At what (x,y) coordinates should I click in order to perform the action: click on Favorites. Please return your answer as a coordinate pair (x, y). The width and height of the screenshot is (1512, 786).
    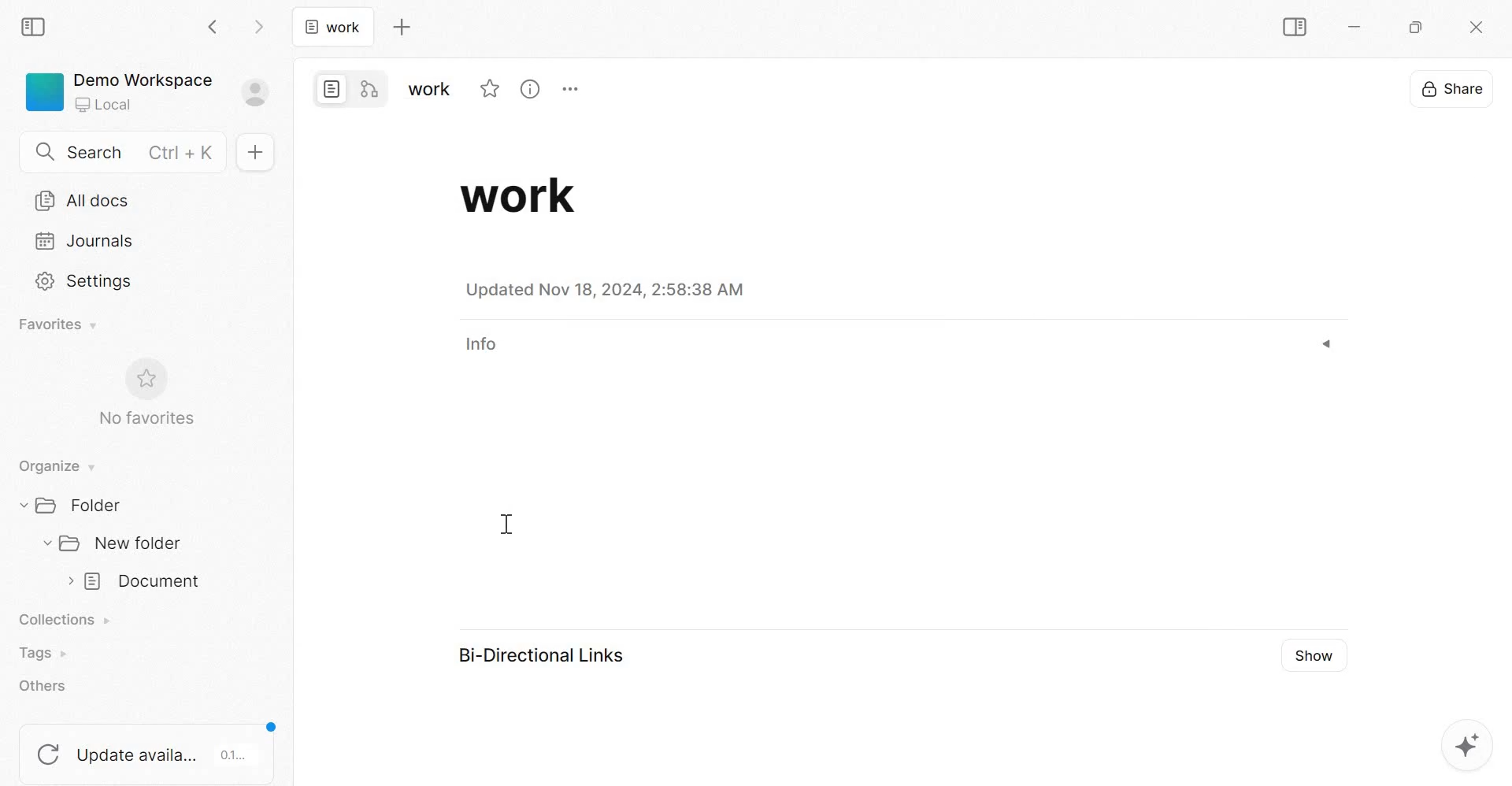
    Looking at the image, I should click on (59, 324).